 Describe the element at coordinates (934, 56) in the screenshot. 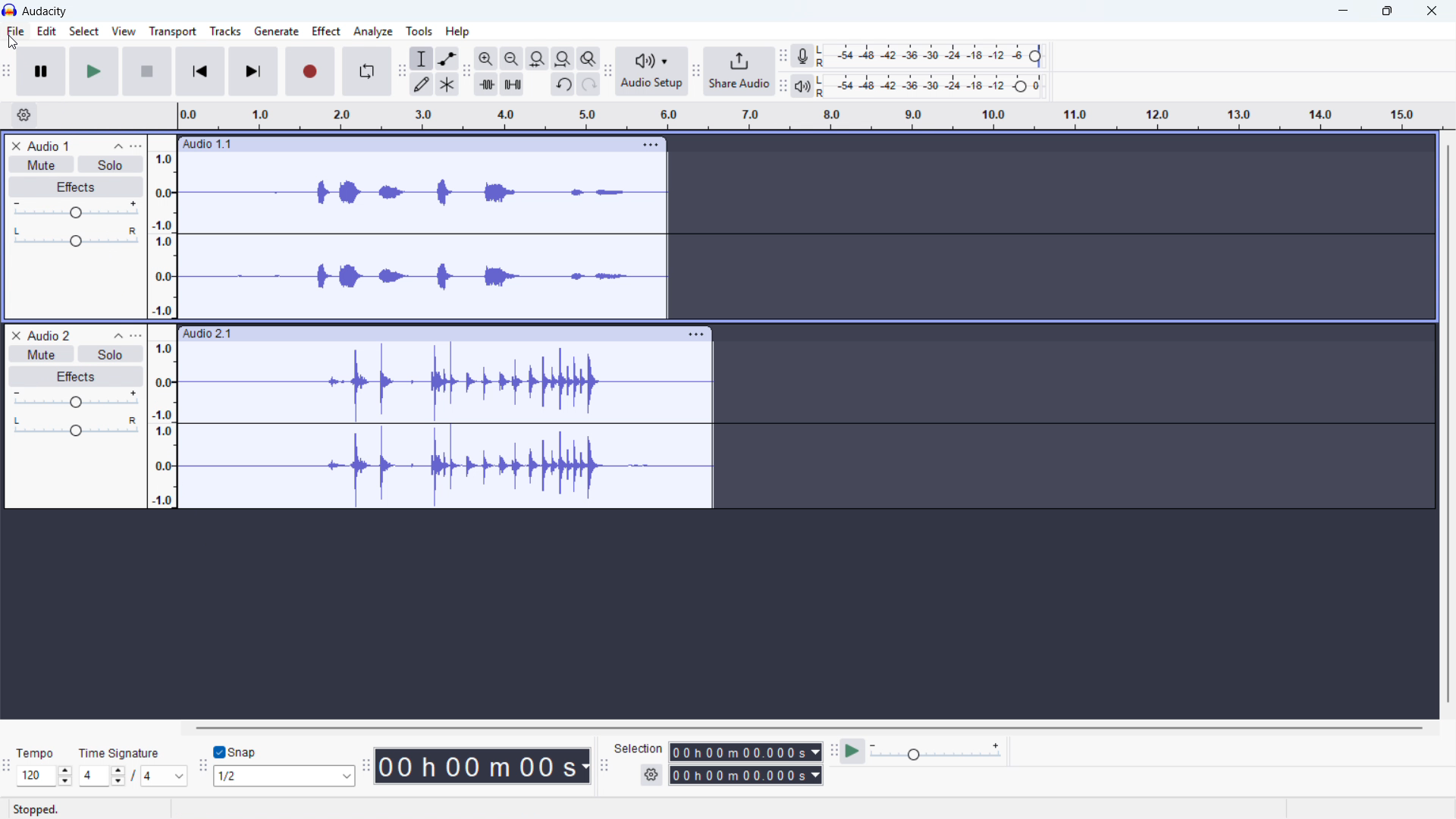

I see `recording level` at that location.